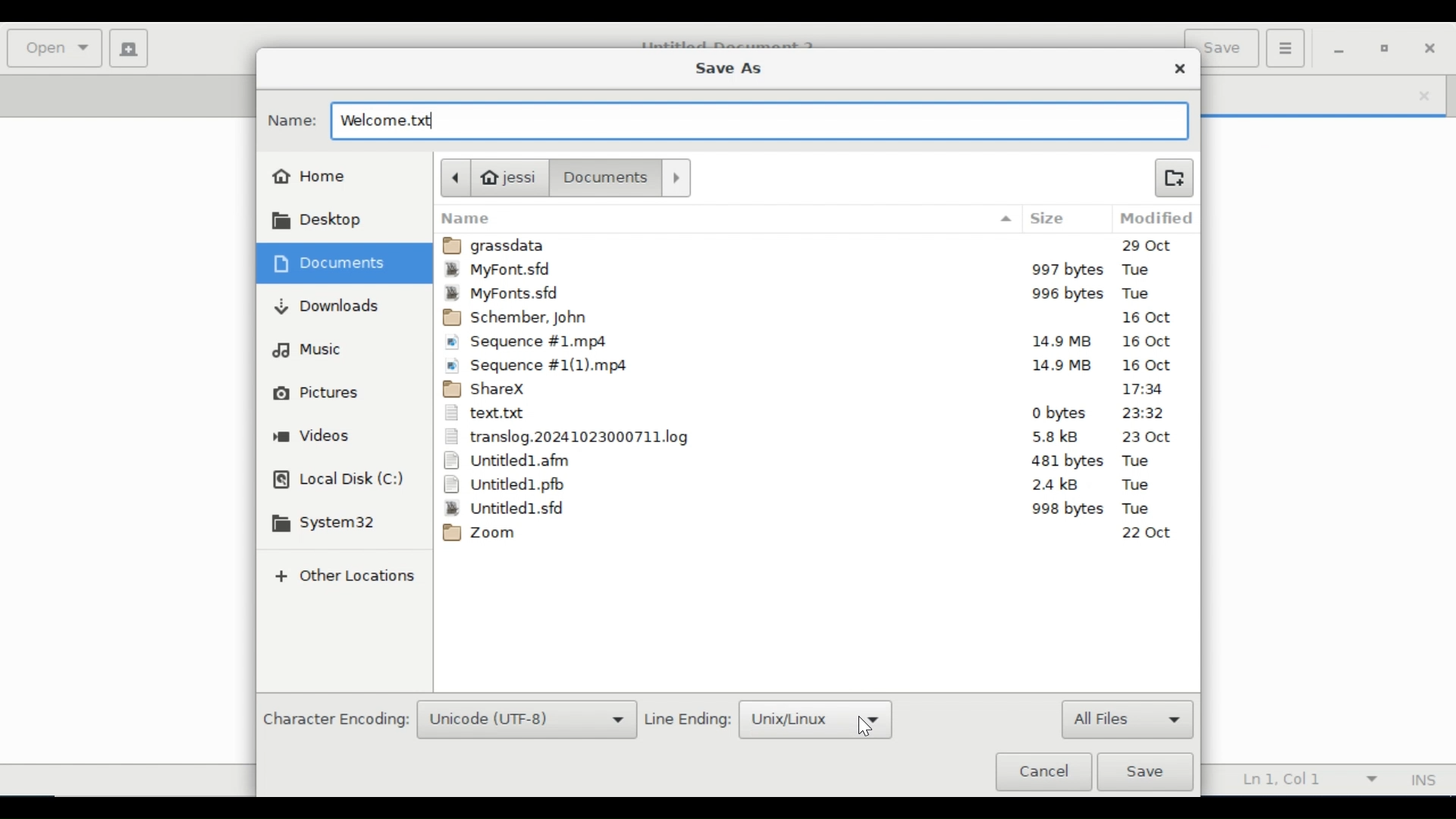  I want to click on Sequence #1mp4 14.9 MB 16Oct, so click(813, 344).